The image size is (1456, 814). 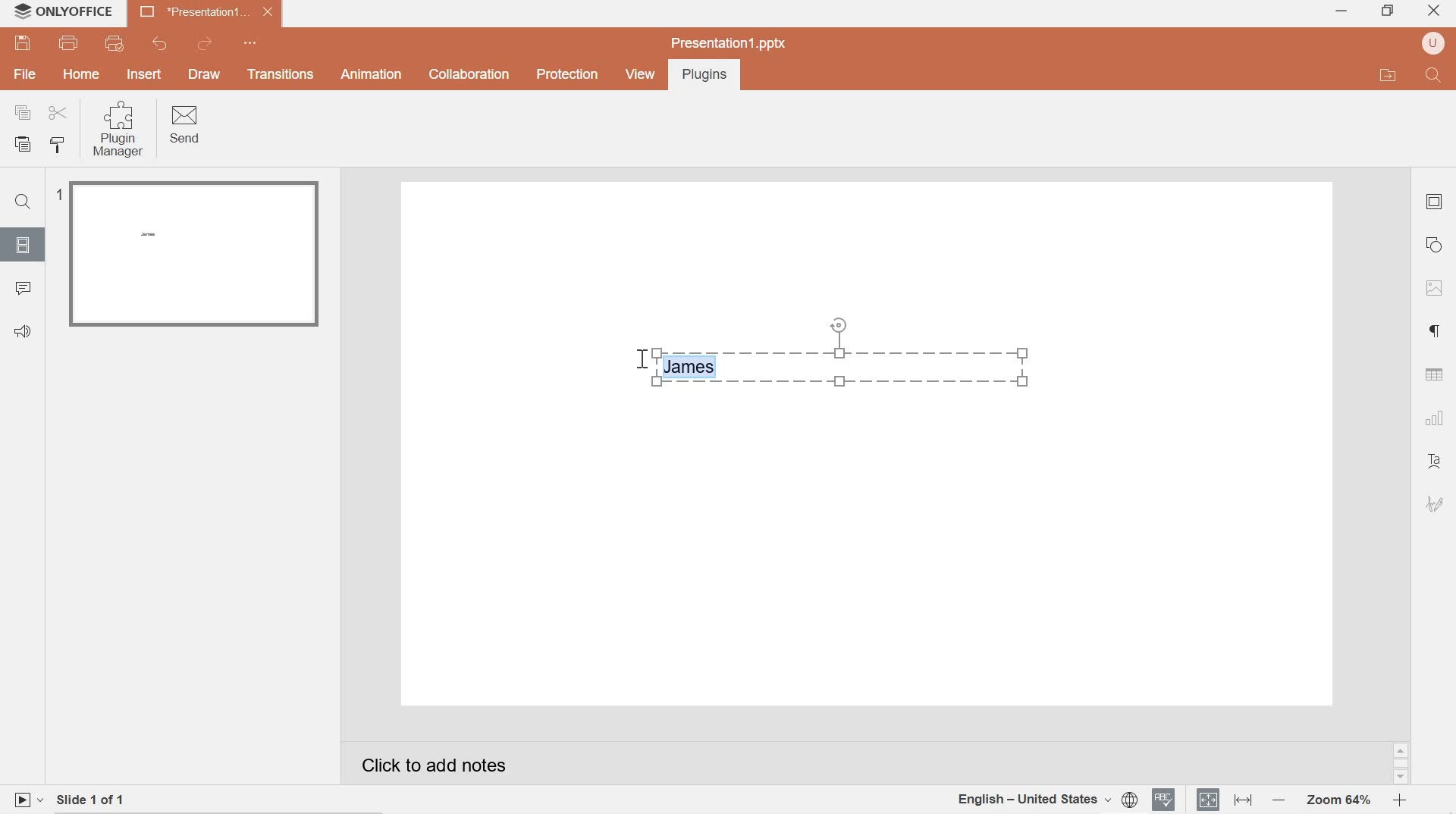 What do you see at coordinates (26, 76) in the screenshot?
I see `file` at bounding box center [26, 76].